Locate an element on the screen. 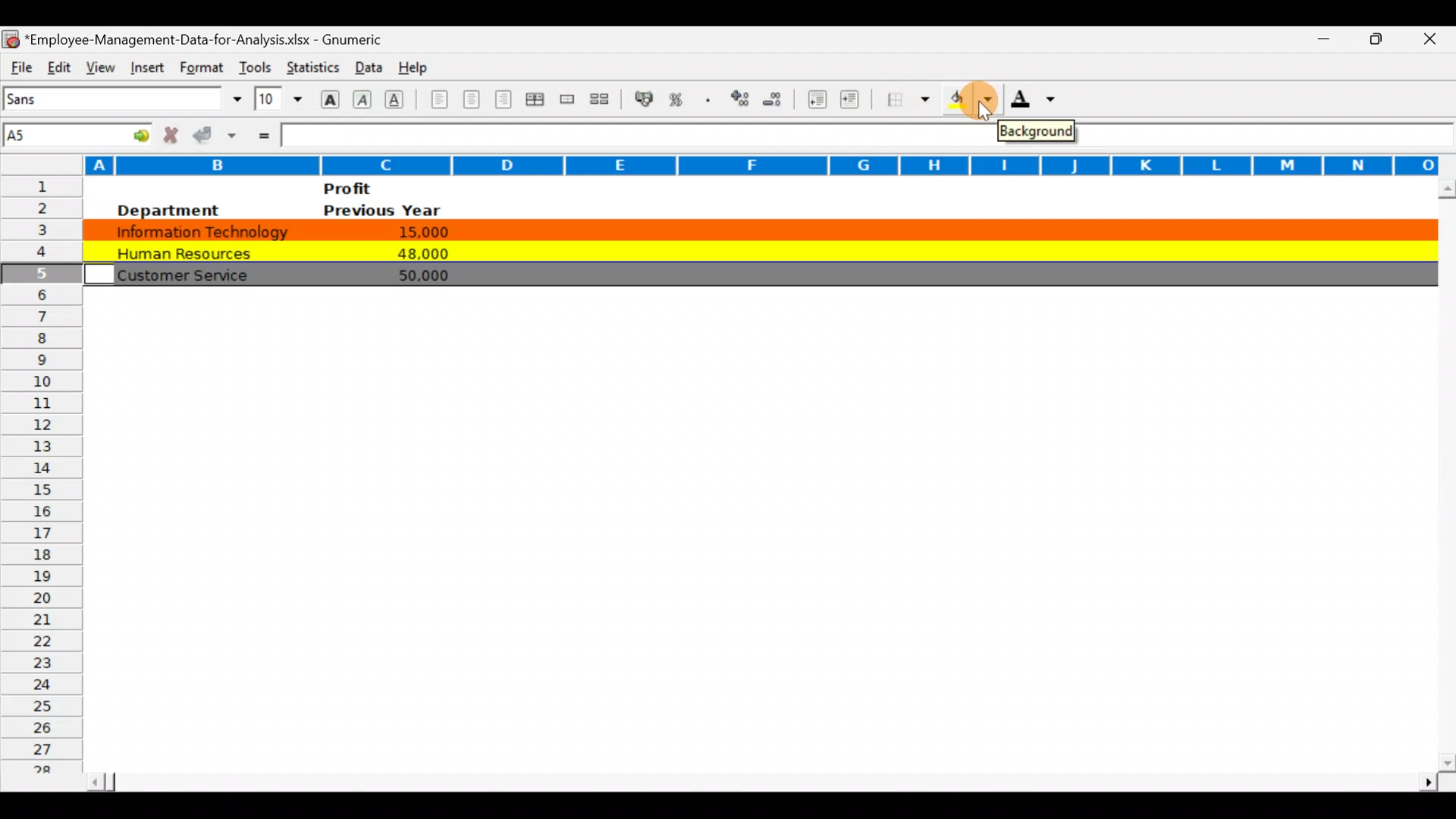  Close is located at coordinates (1435, 40).